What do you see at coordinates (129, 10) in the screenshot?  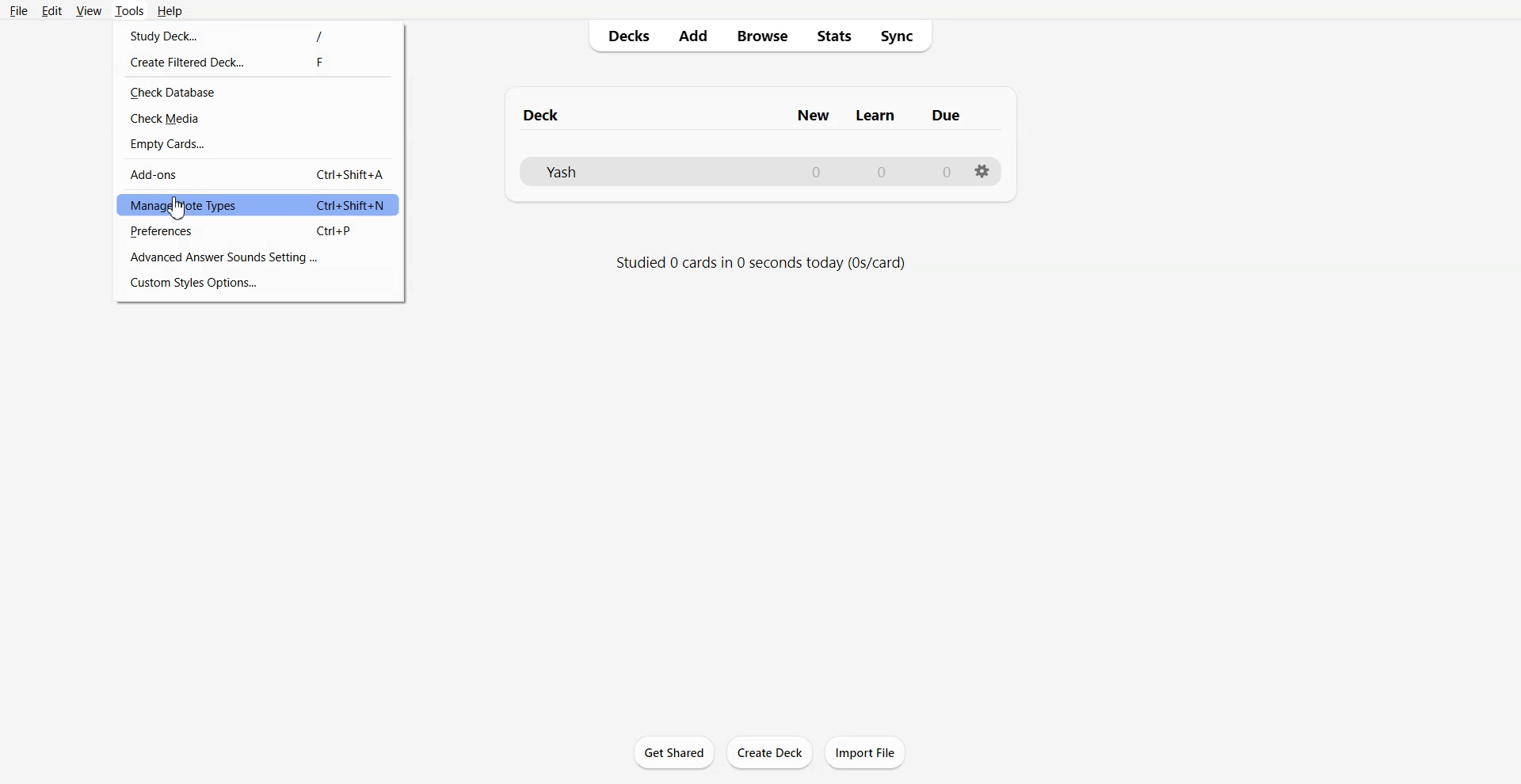 I see `Tools` at bounding box center [129, 10].